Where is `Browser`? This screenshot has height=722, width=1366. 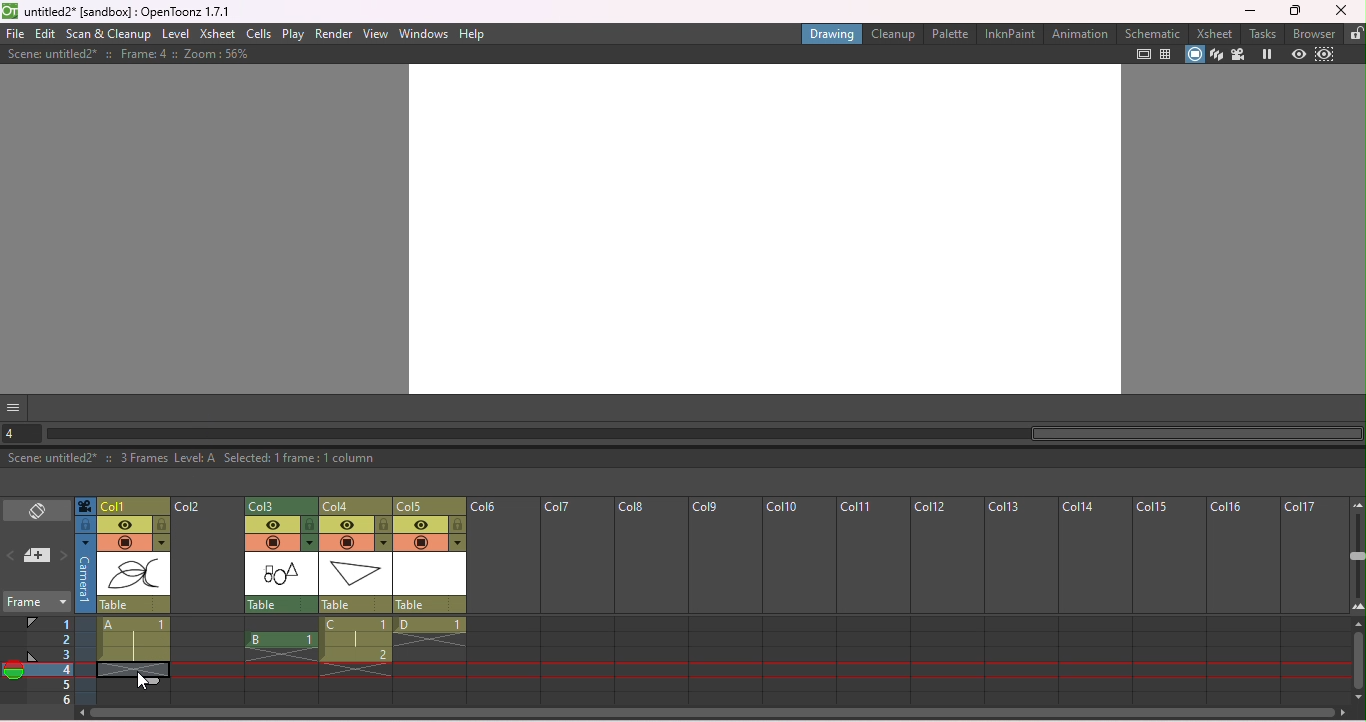 Browser is located at coordinates (1315, 33).